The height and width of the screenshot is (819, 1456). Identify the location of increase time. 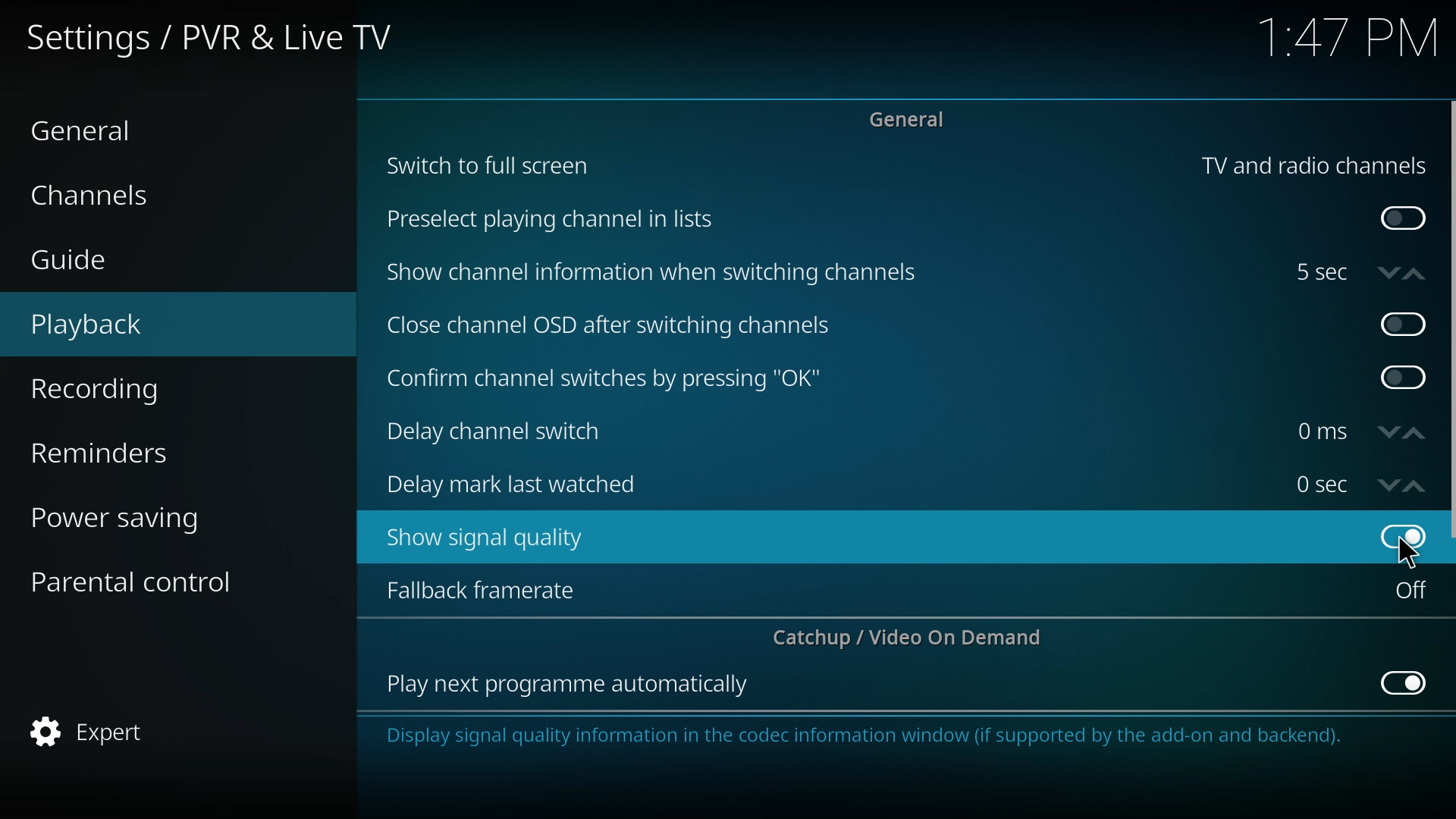
(1415, 434).